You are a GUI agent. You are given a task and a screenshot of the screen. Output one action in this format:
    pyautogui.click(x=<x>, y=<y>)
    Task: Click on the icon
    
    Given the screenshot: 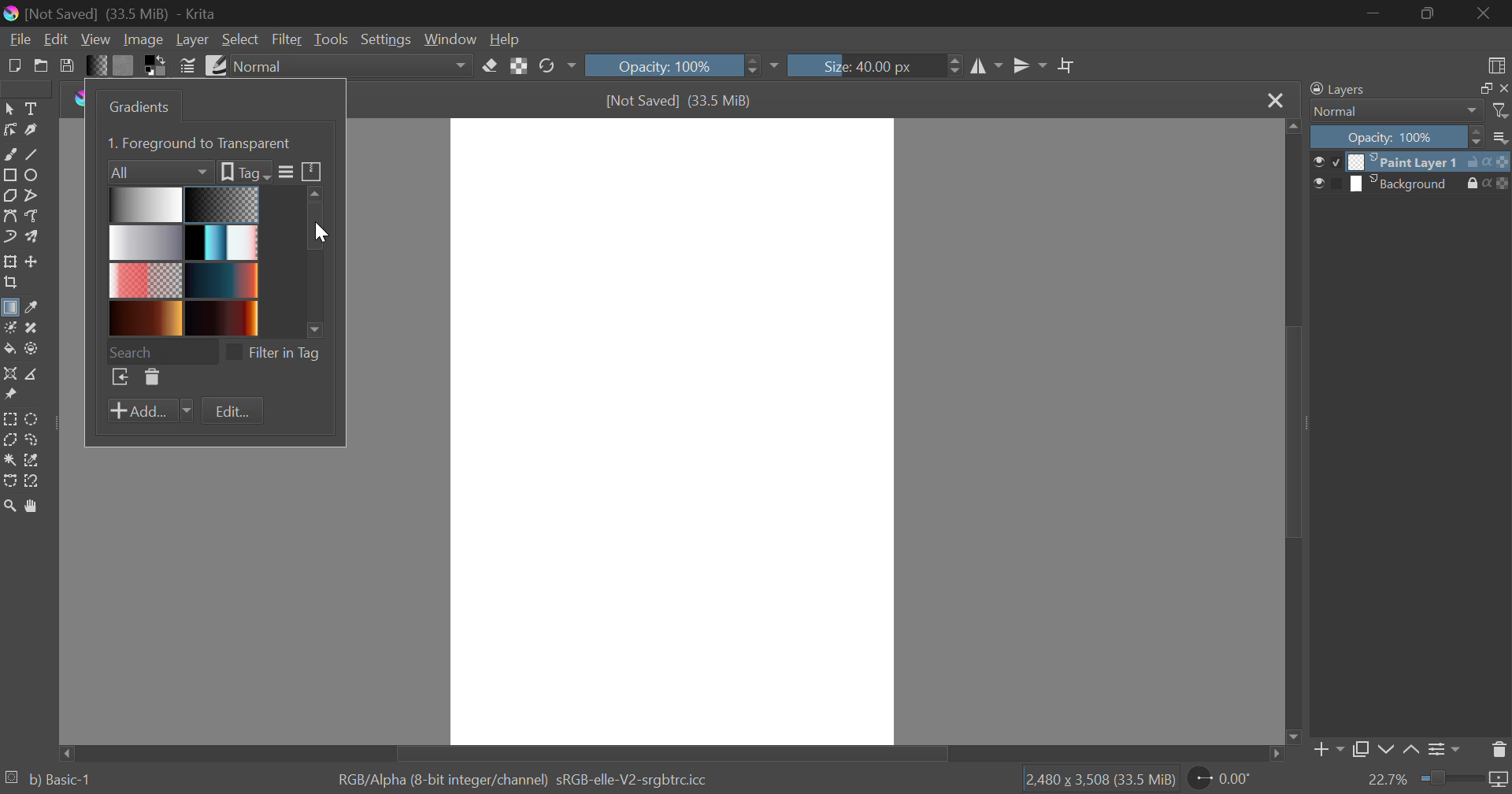 What is the action you would take?
    pyautogui.click(x=1499, y=161)
    